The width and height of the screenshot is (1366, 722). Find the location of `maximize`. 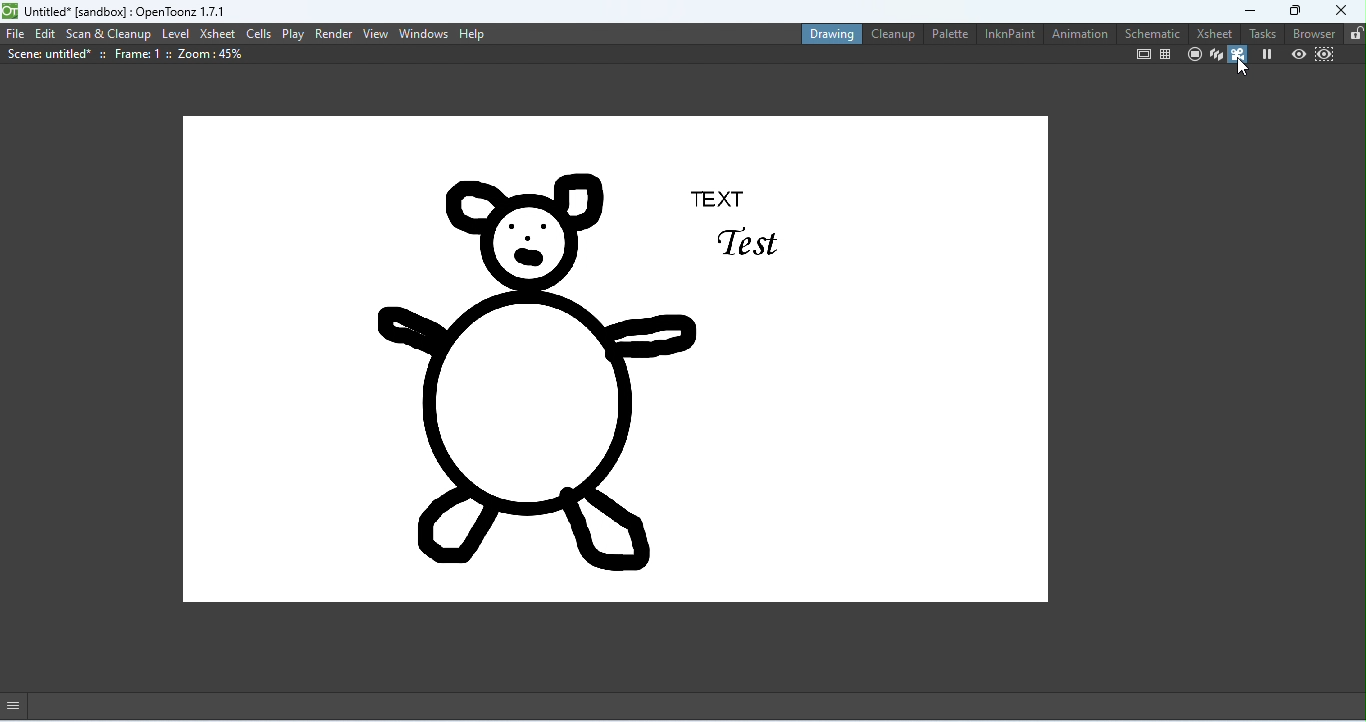

maximize is located at coordinates (1291, 10).